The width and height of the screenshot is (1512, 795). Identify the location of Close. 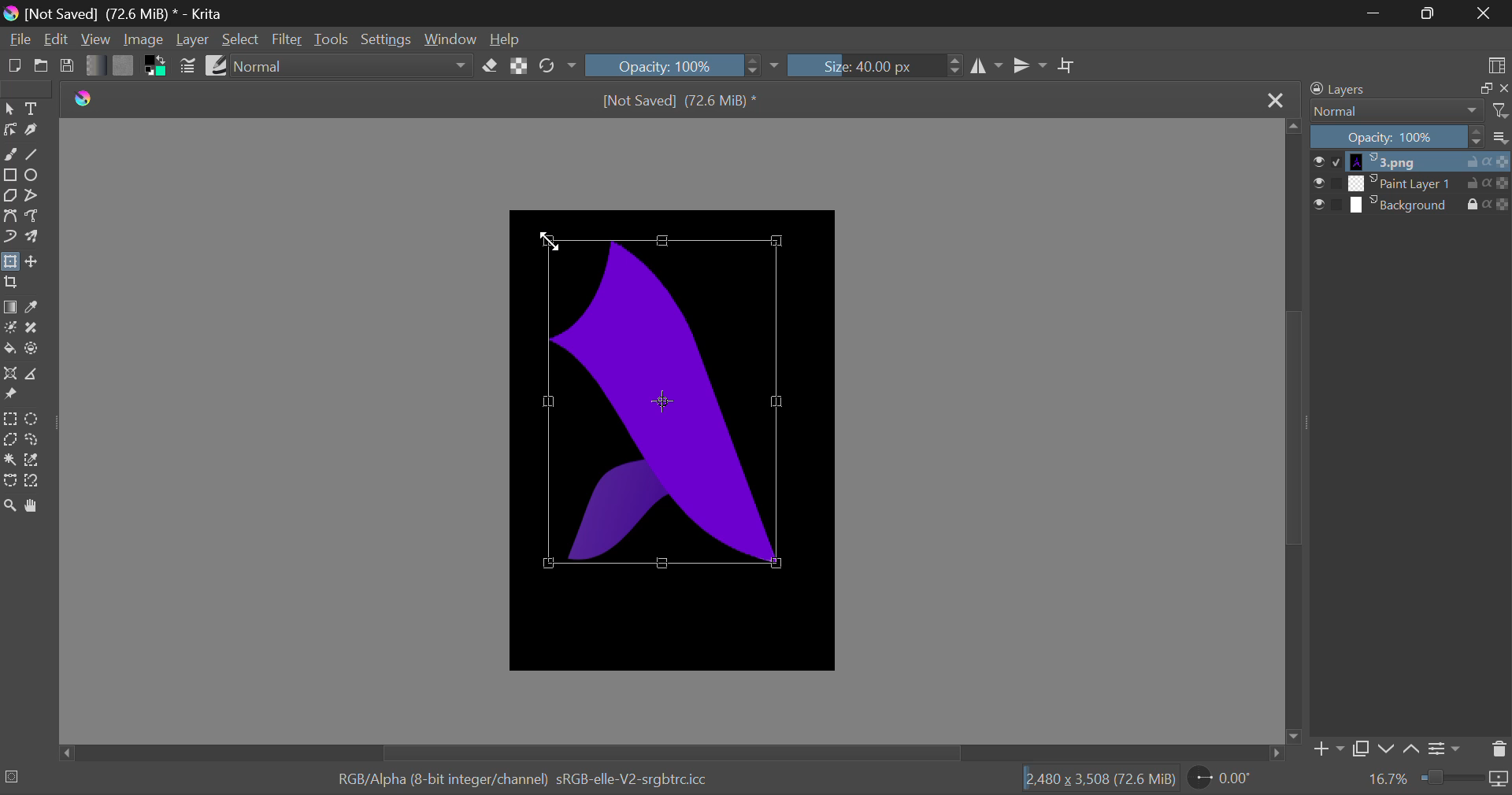
(1273, 104).